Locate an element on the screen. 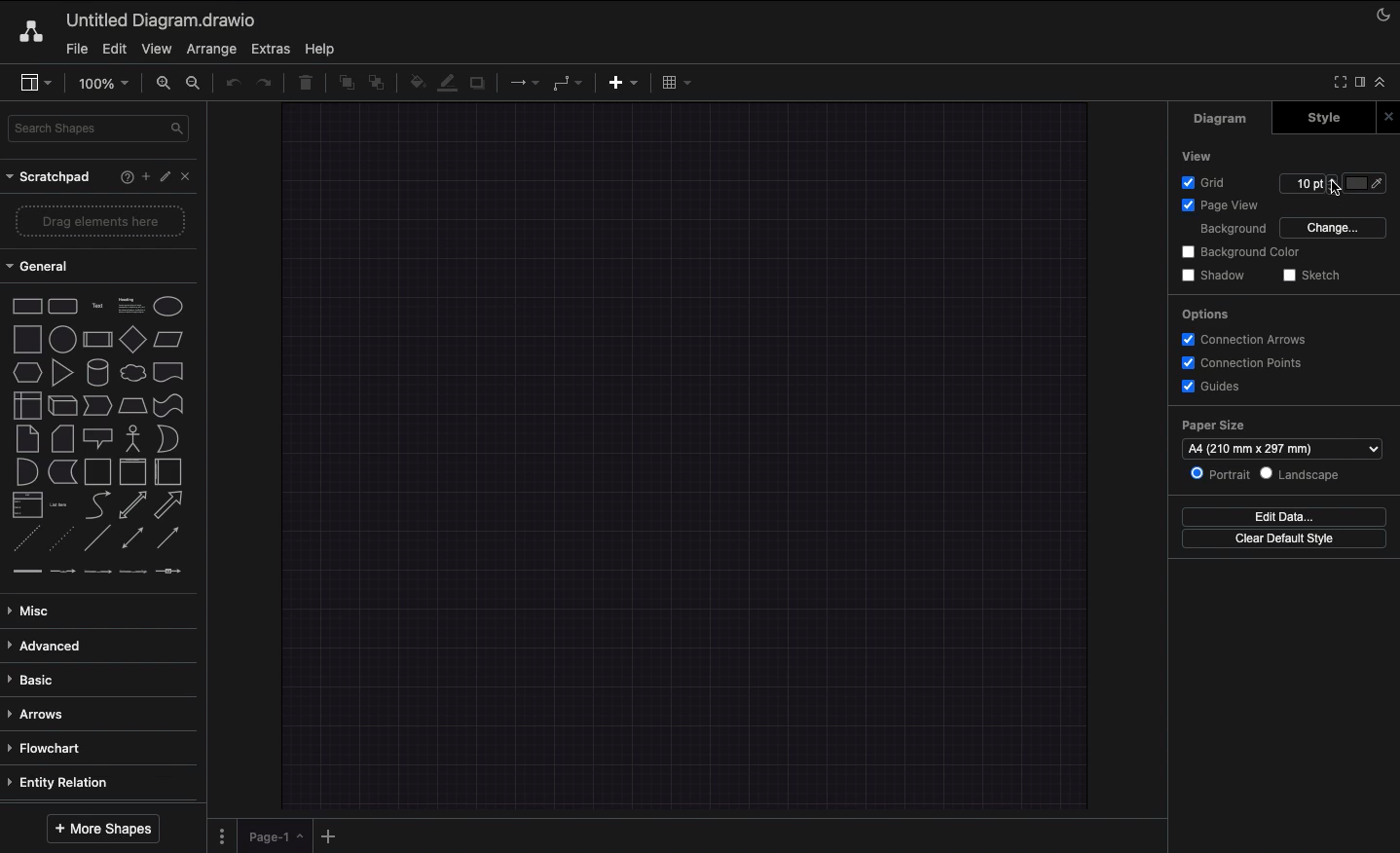  Background color is located at coordinates (1237, 253).